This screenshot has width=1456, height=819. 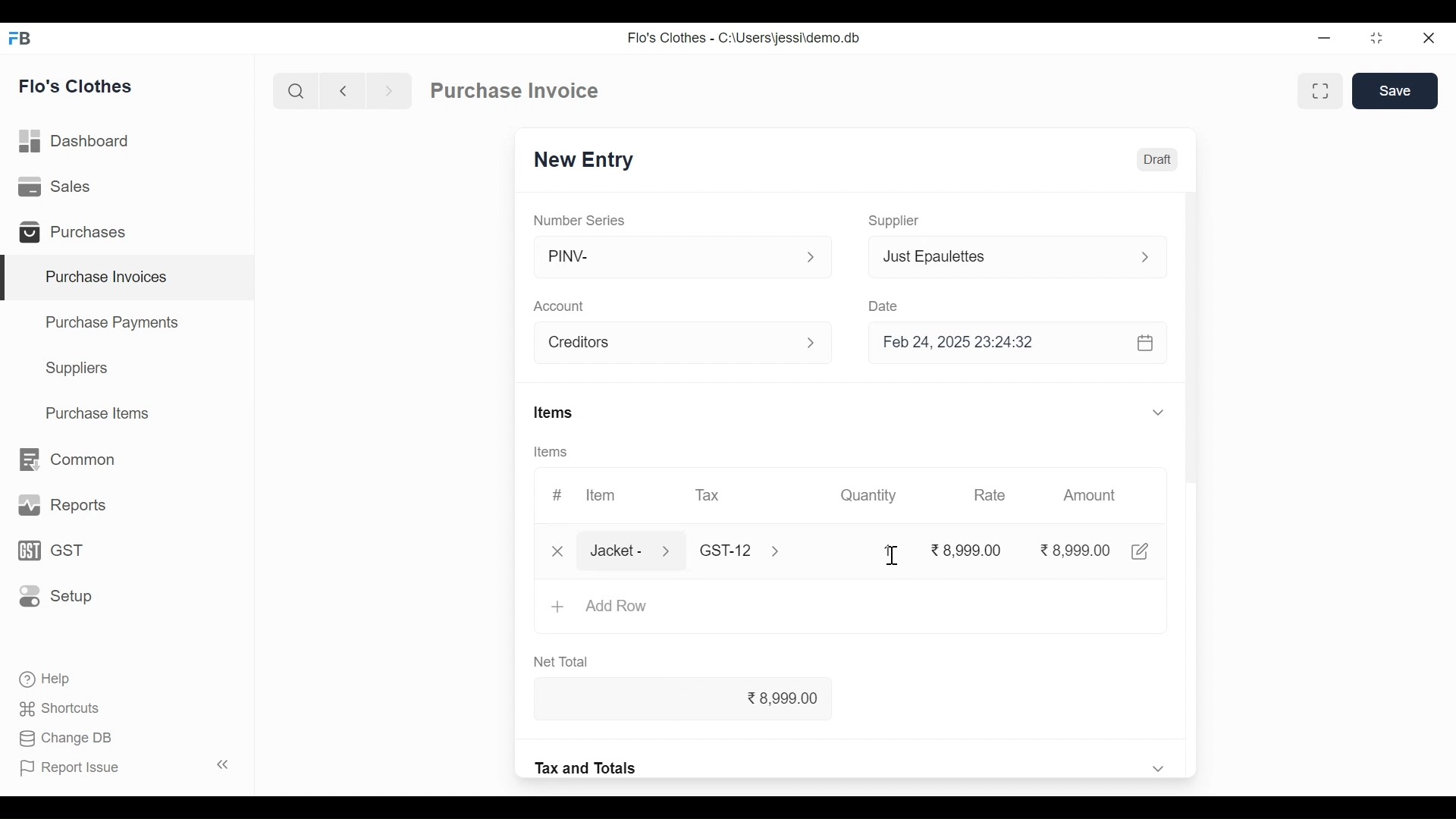 What do you see at coordinates (126, 766) in the screenshot?
I see `Report Issue` at bounding box center [126, 766].